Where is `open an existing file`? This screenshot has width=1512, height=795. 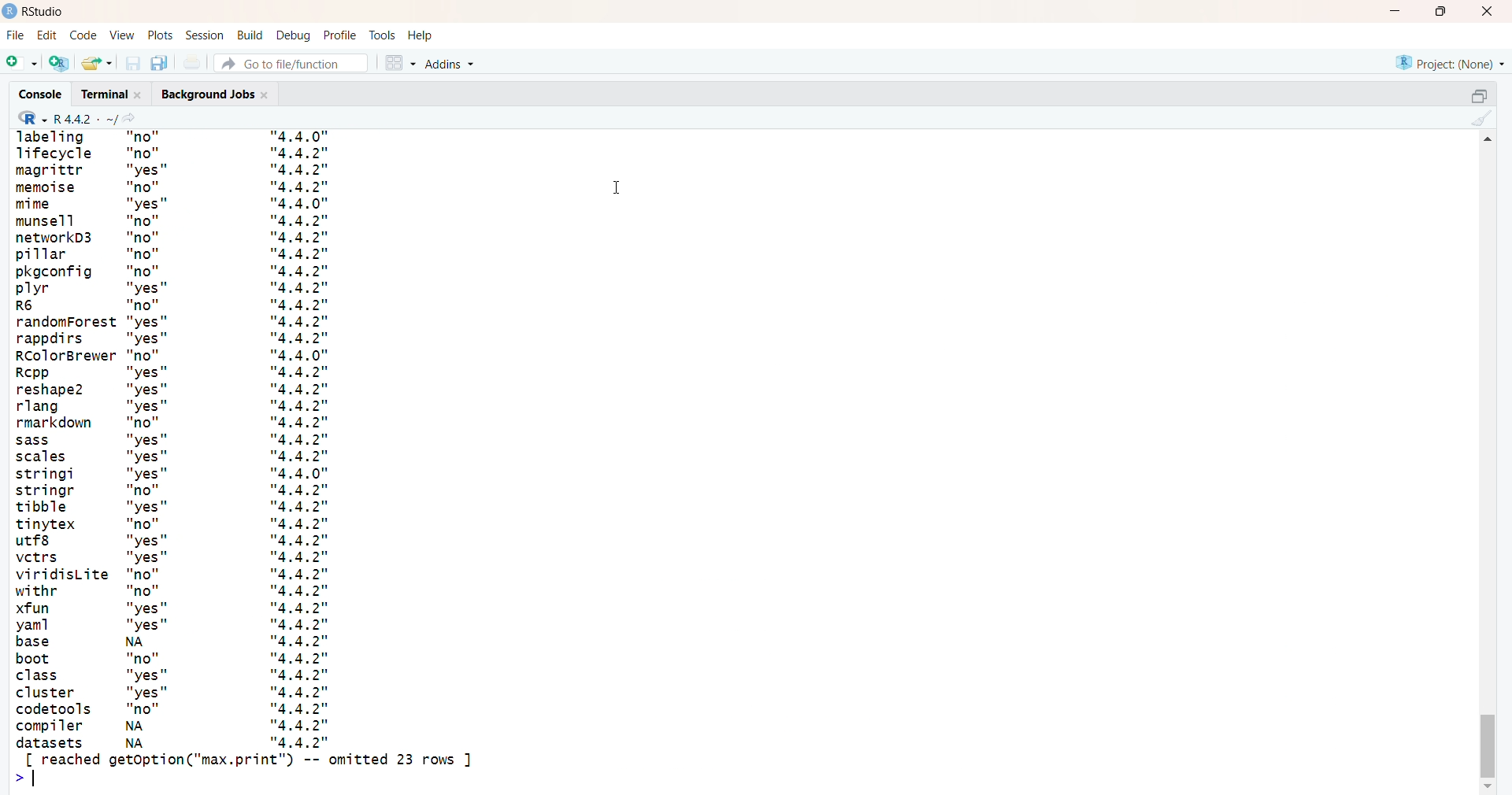
open an existing file is located at coordinates (98, 62).